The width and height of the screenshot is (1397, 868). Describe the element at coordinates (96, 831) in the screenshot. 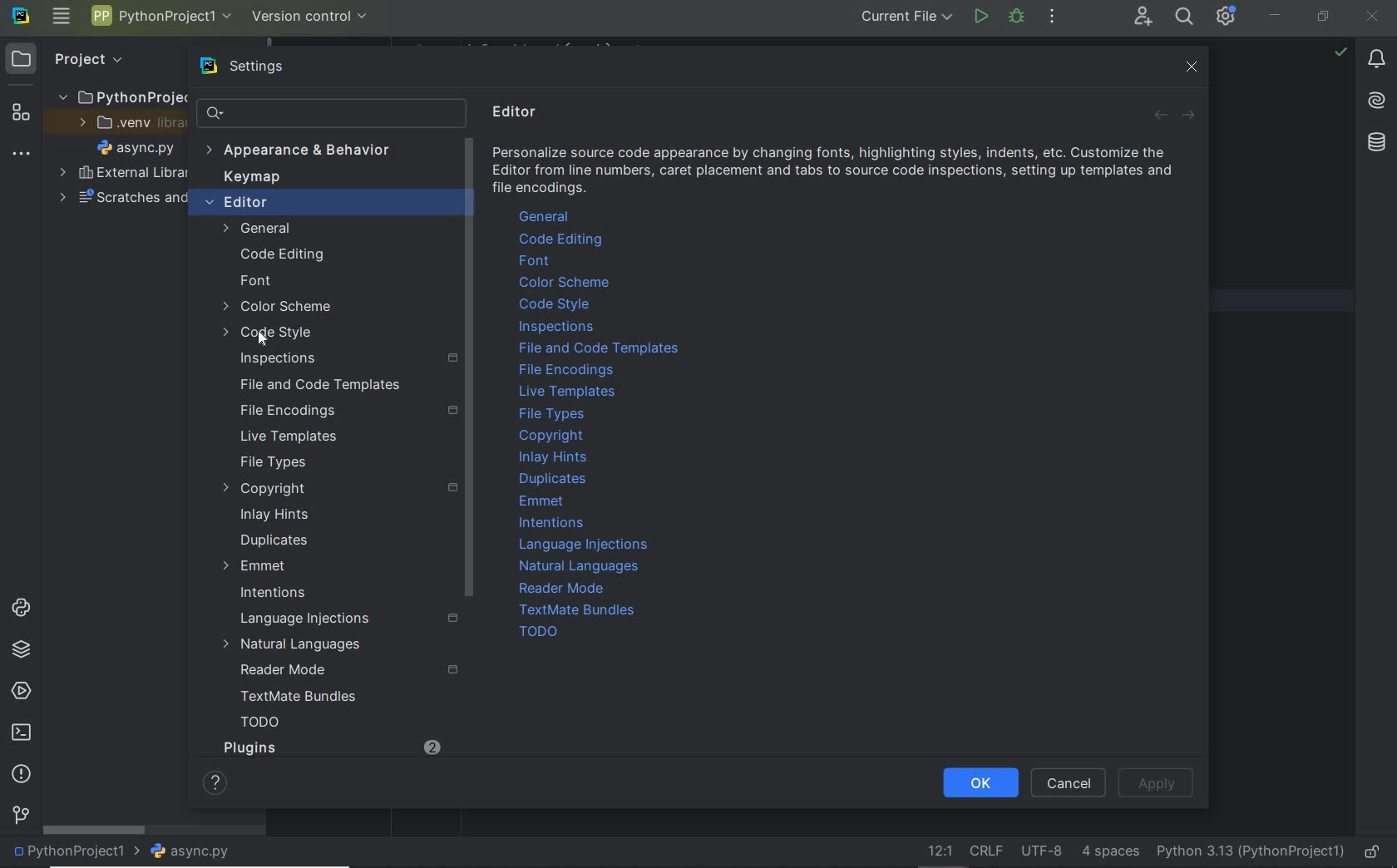

I see `scrollbar` at that location.